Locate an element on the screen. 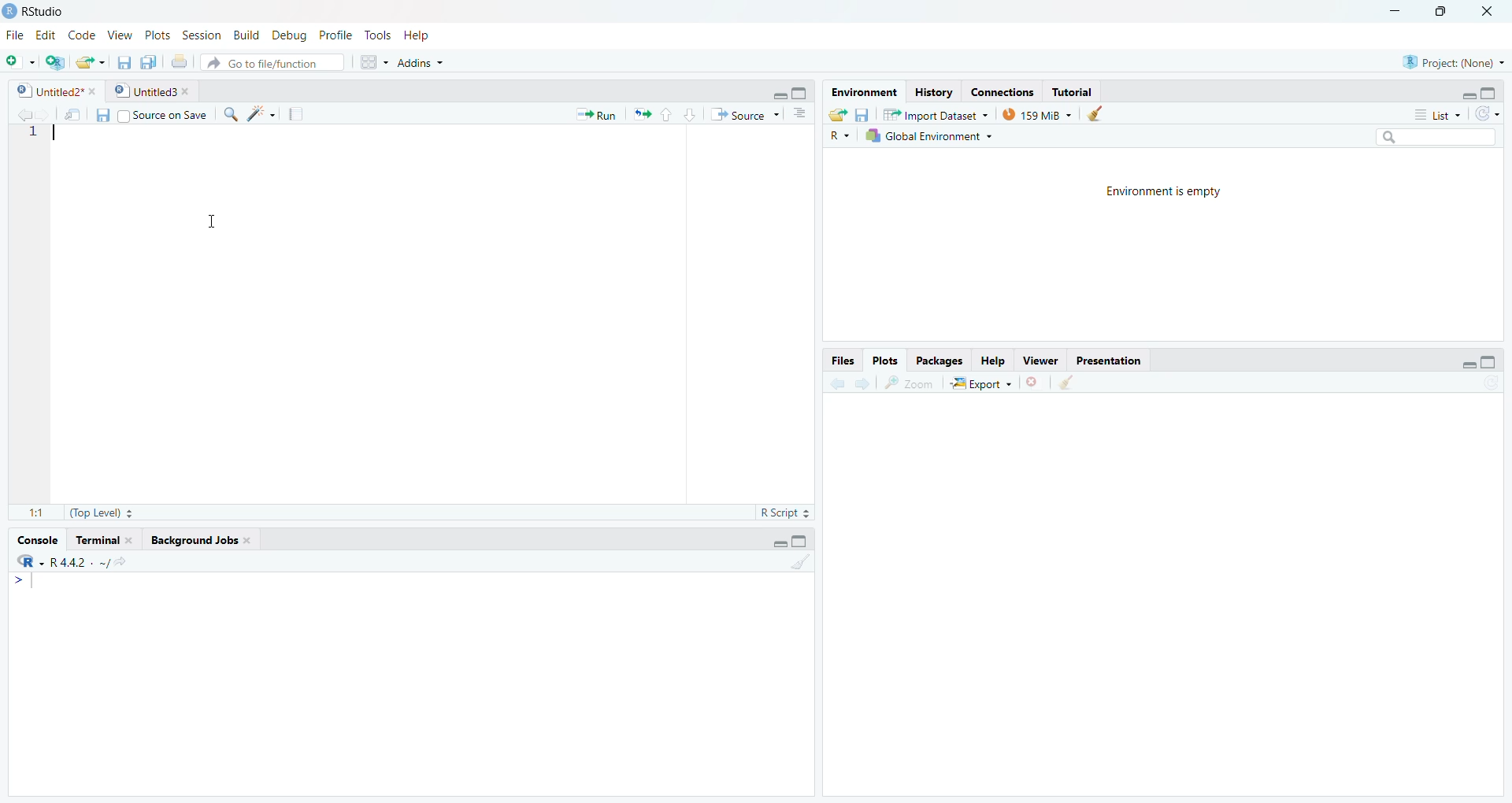  Down is located at coordinates (690, 113).